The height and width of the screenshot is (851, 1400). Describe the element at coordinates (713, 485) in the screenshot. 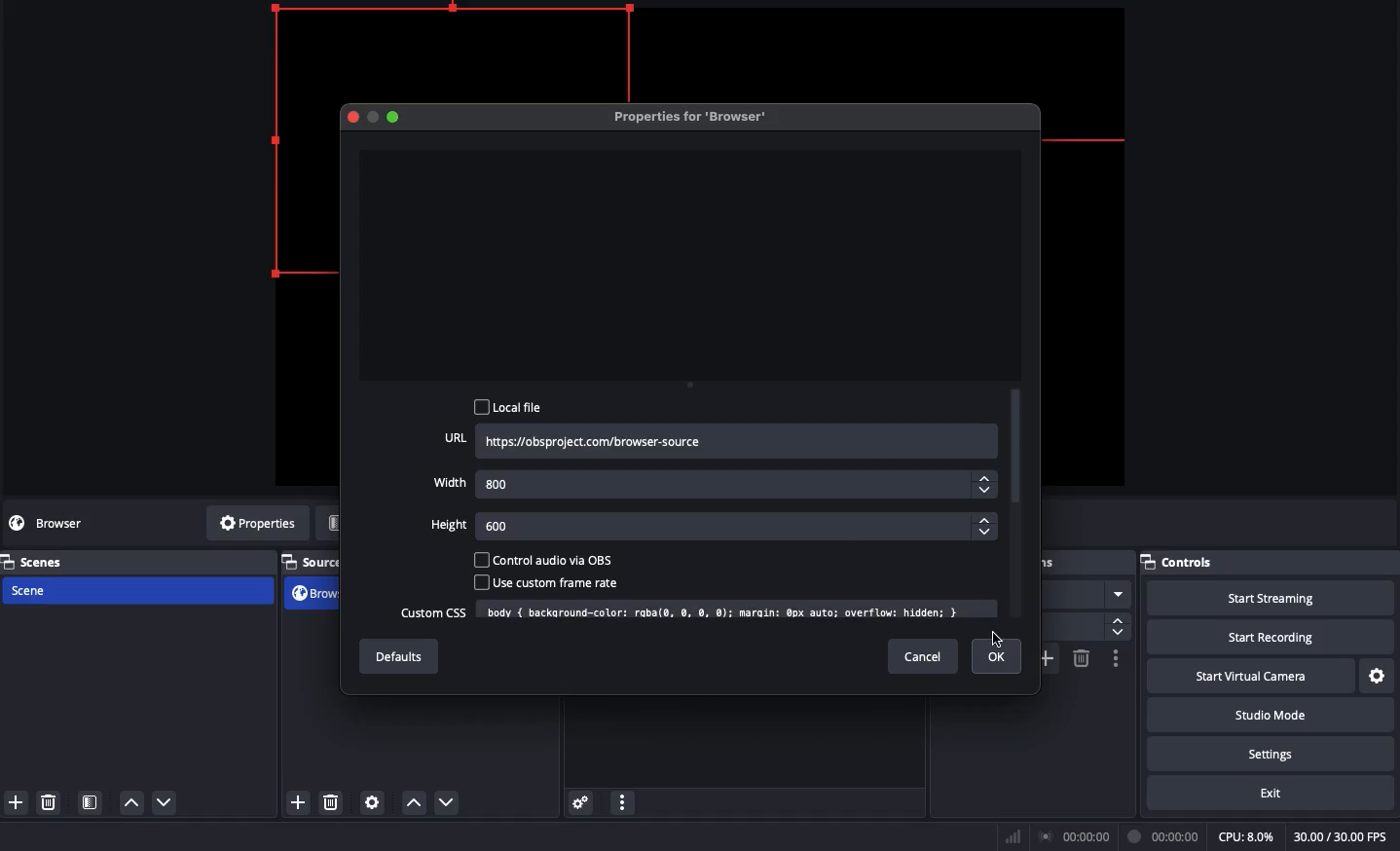

I see `Width` at that location.